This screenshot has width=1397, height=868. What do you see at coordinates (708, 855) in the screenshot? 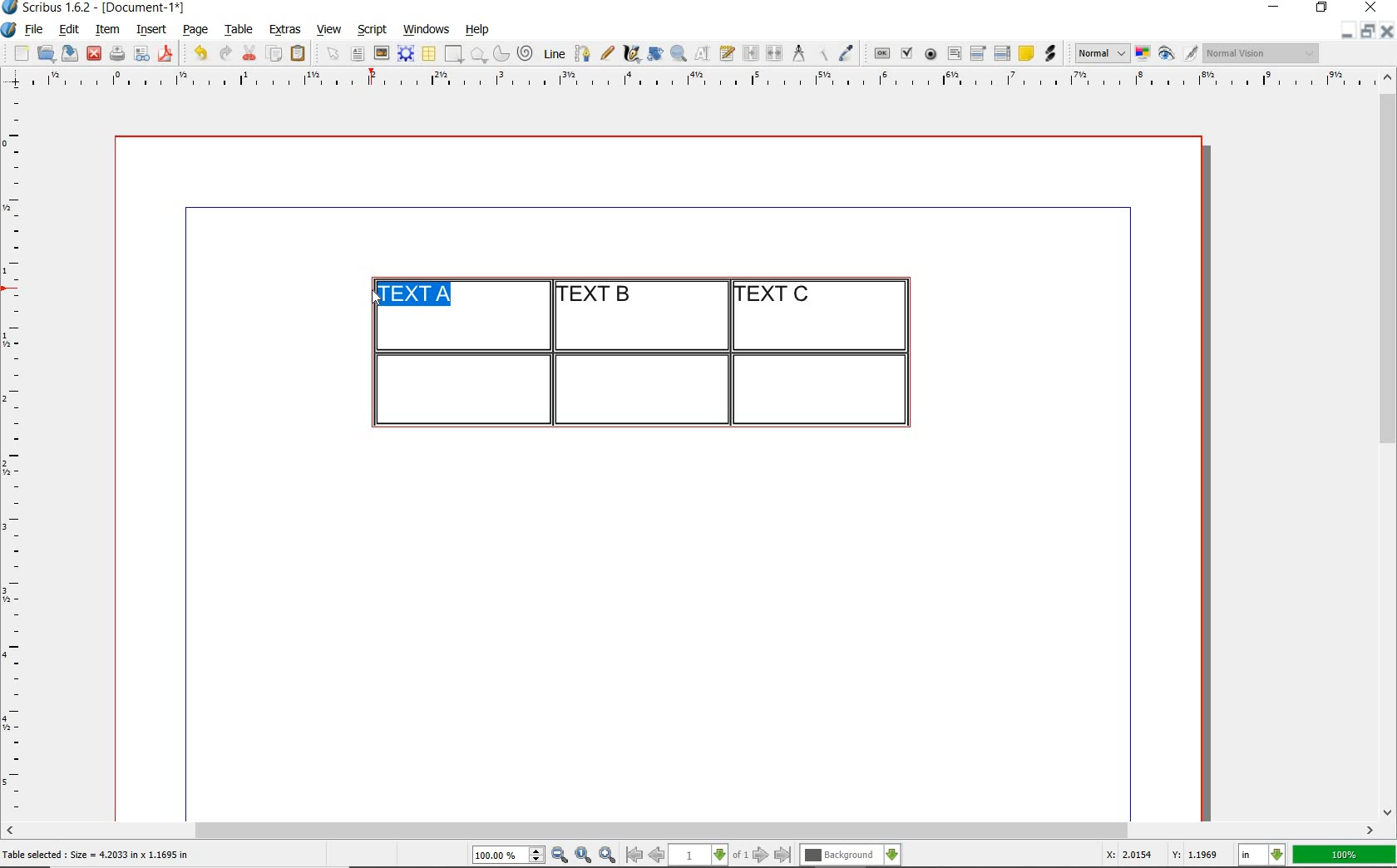
I see `select current page level` at bounding box center [708, 855].